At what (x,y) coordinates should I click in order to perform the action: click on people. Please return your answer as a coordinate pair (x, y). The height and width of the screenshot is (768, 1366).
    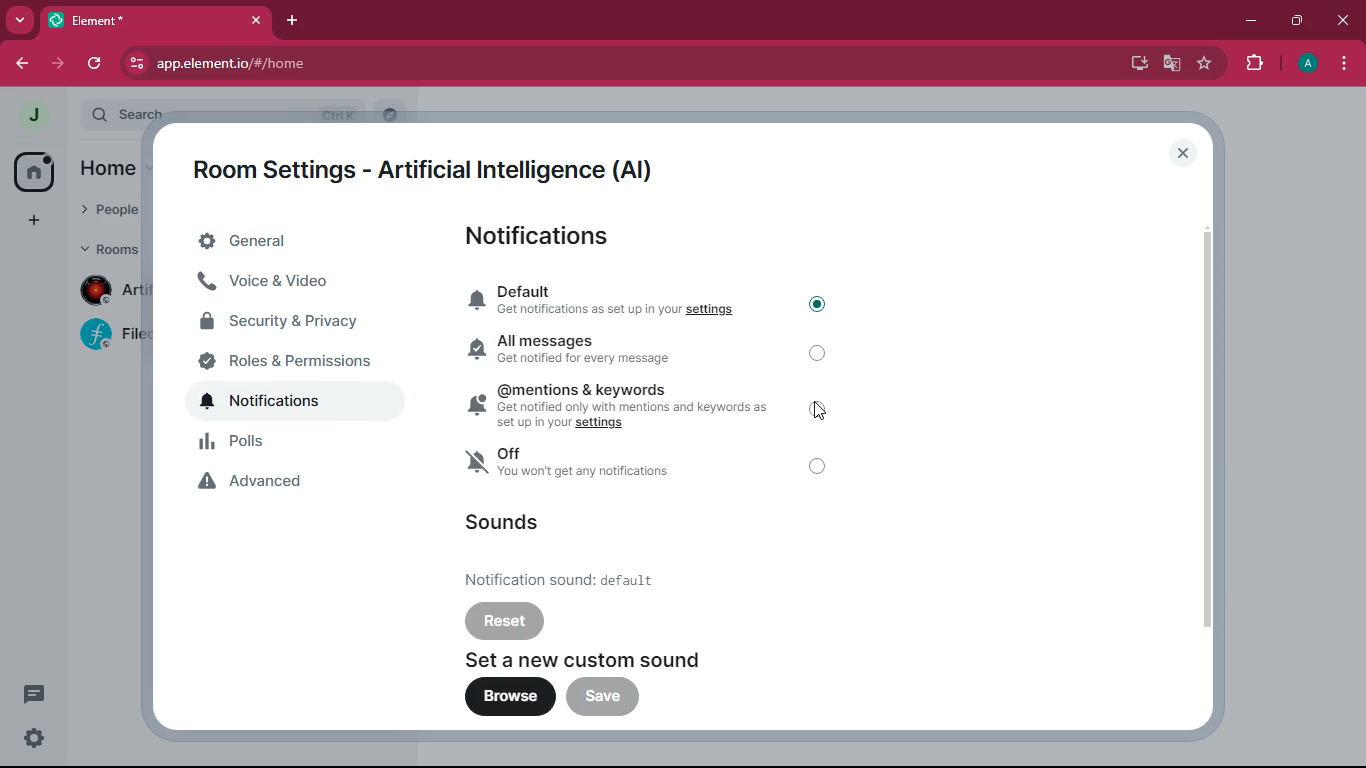
    Looking at the image, I should click on (108, 213).